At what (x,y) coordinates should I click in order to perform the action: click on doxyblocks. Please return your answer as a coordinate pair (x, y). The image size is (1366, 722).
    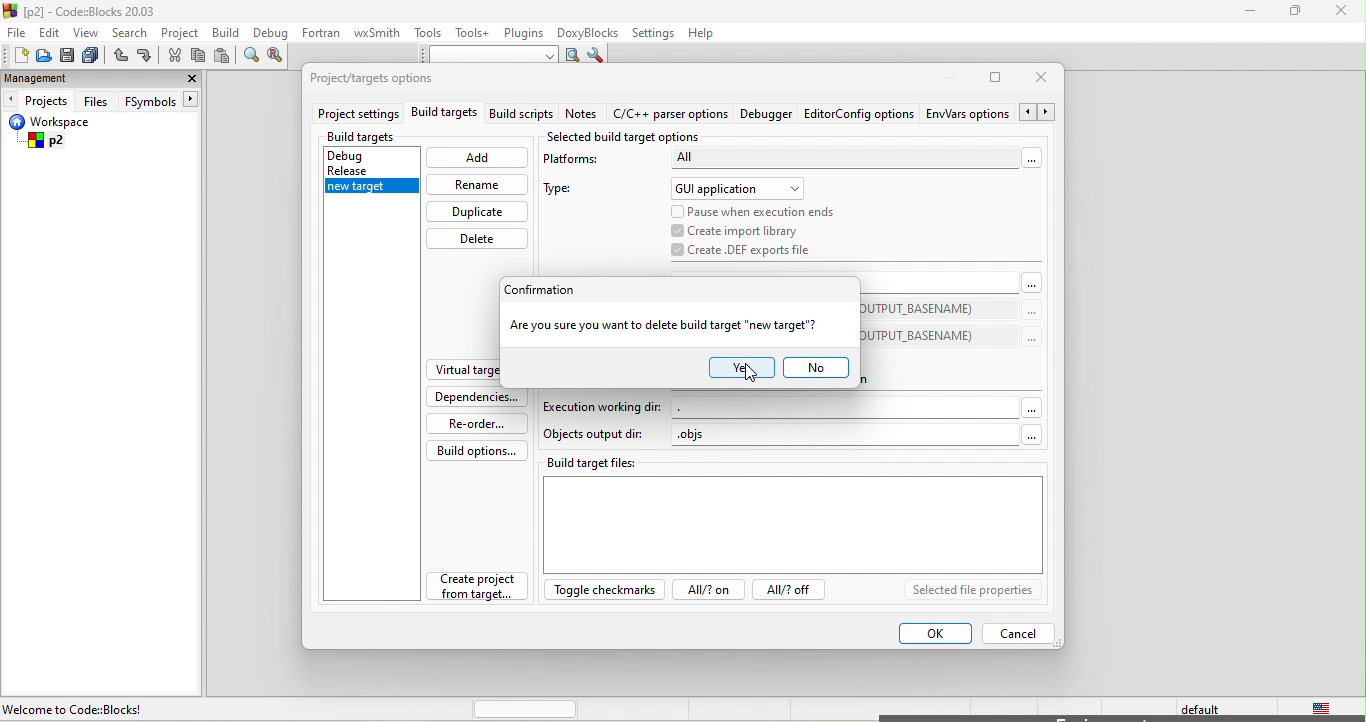
    Looking at the image, I should click on (591, 32).